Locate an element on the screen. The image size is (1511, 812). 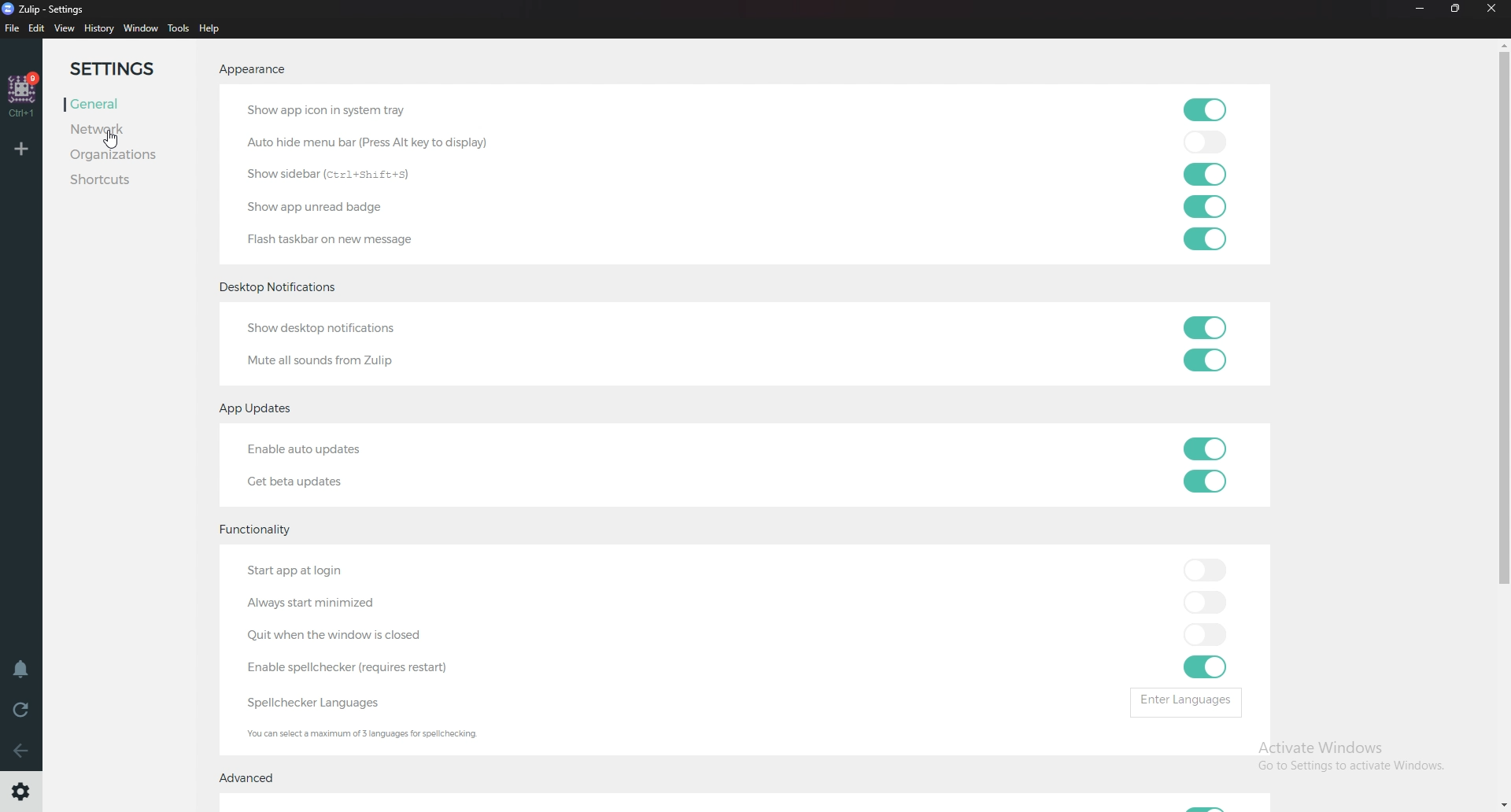
Network is located at coordinates (122, 131).